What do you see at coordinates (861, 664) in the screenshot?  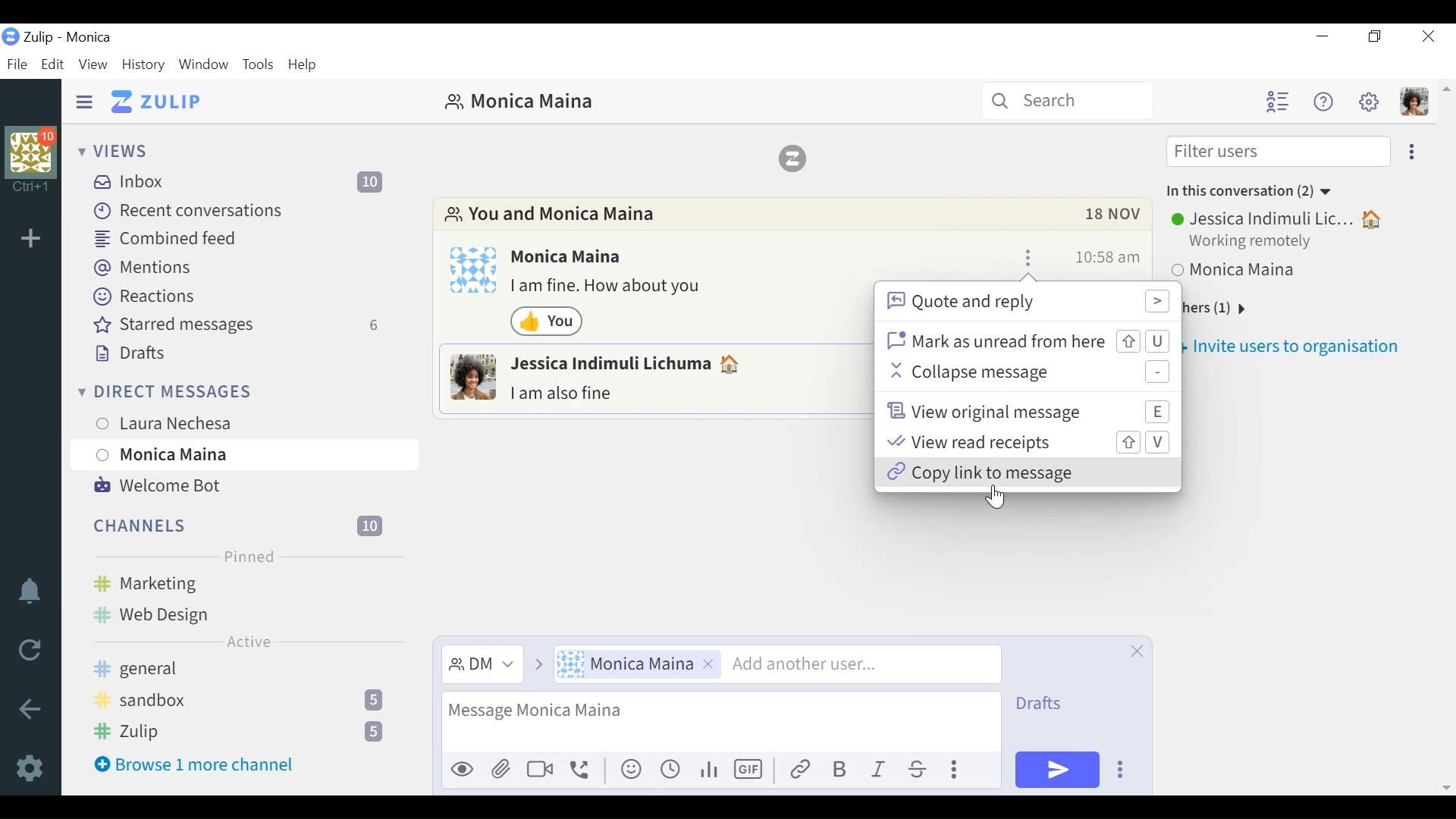 I see `add another user` at bounding box center [861, 664].